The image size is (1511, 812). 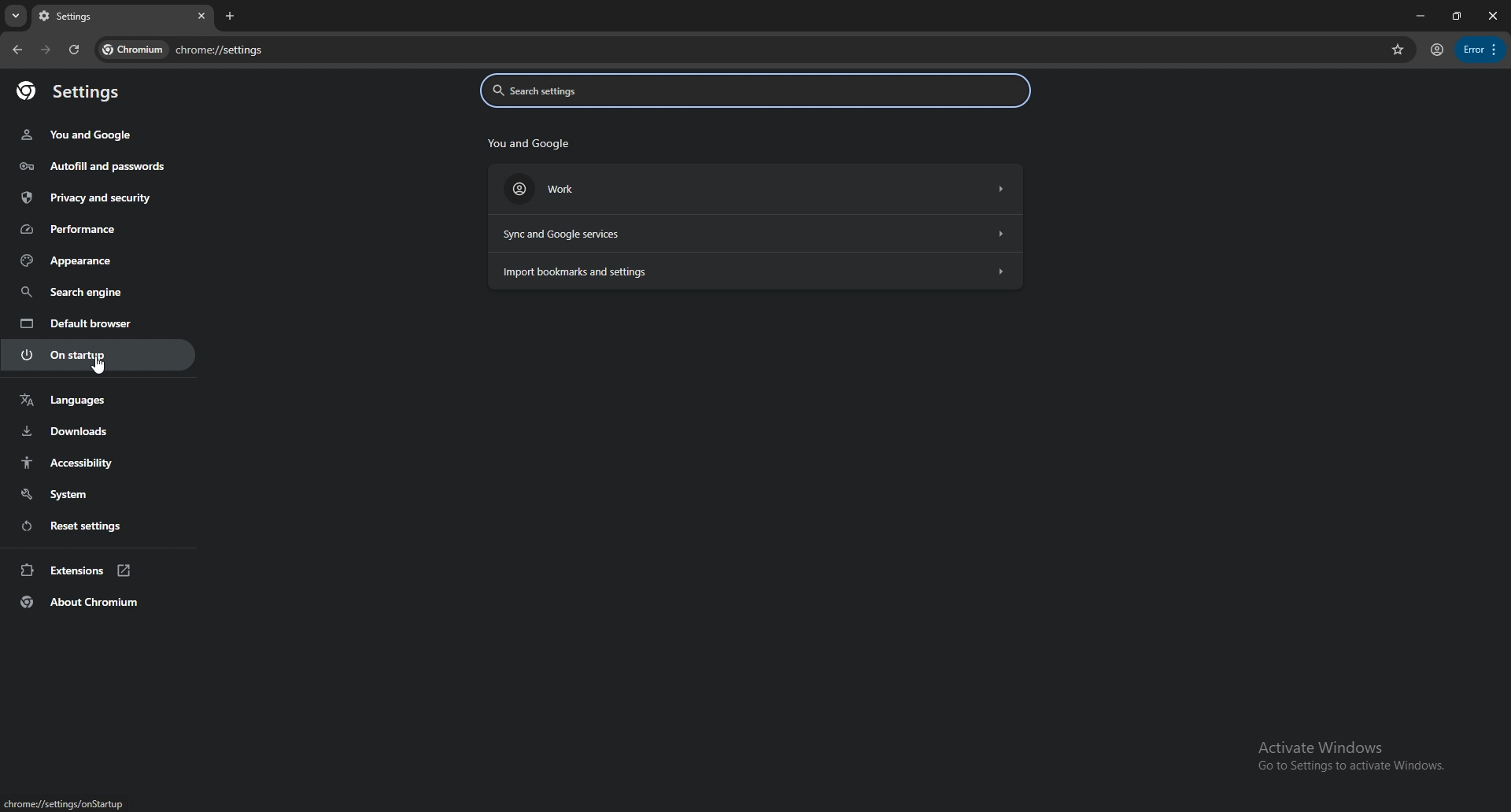 I want to click on you and google, so click(x=81, y=135).